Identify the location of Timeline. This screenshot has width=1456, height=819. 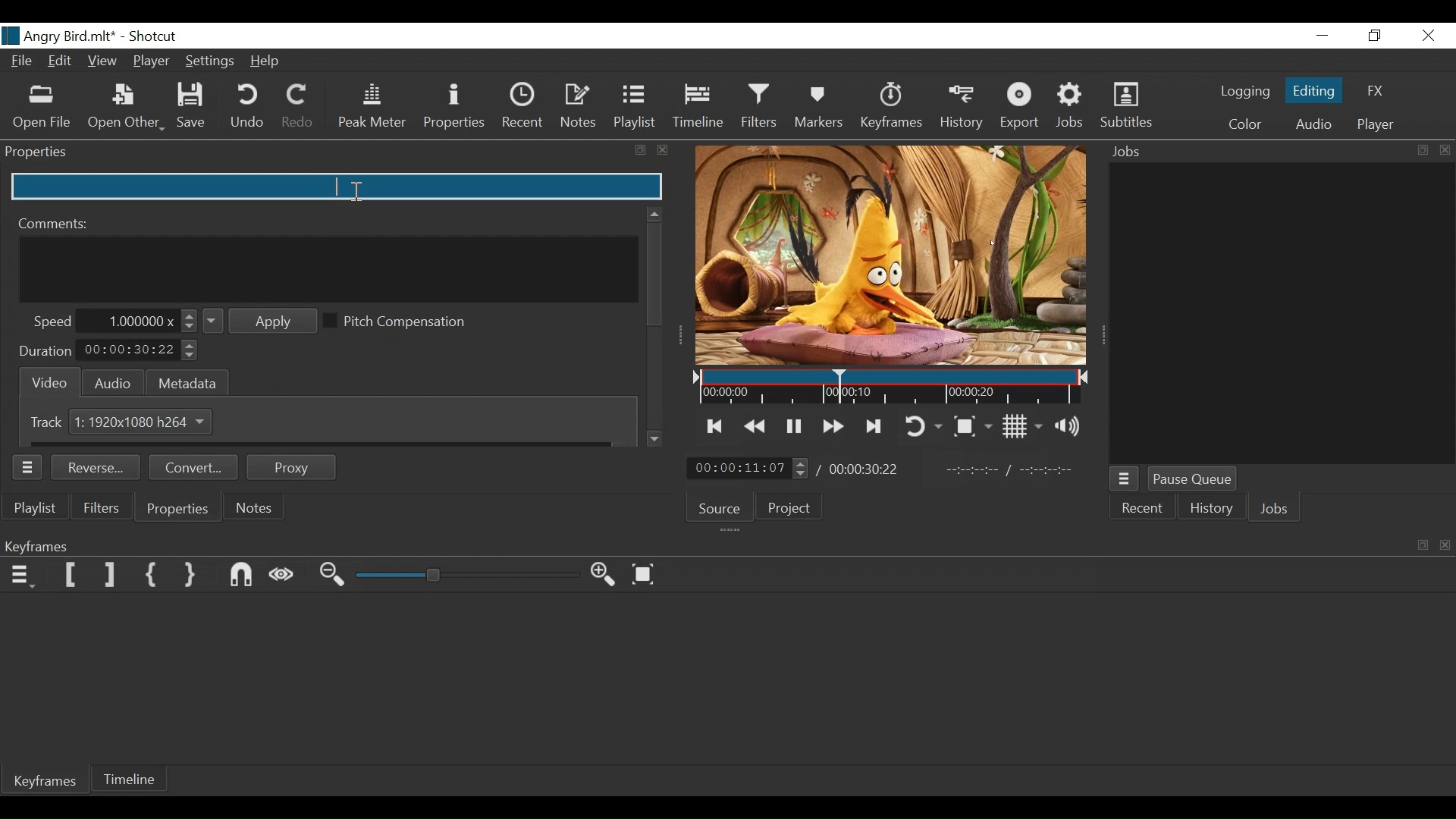
(698, 108).